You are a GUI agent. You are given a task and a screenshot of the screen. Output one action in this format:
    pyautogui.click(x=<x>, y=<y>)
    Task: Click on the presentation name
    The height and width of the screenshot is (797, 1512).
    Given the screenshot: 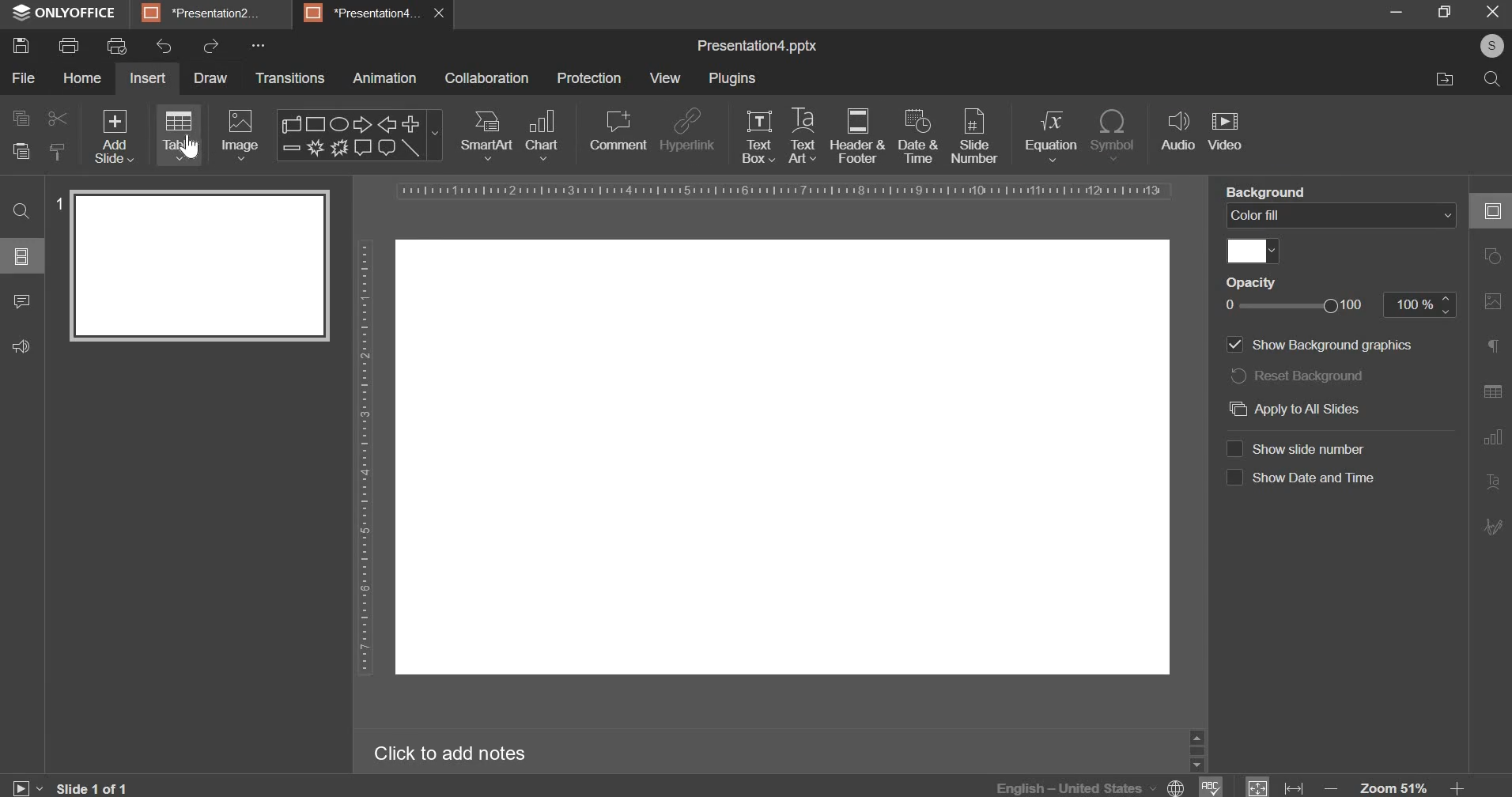 What is the action you would take?
    pyautogui.click(x=758, y=47)
    